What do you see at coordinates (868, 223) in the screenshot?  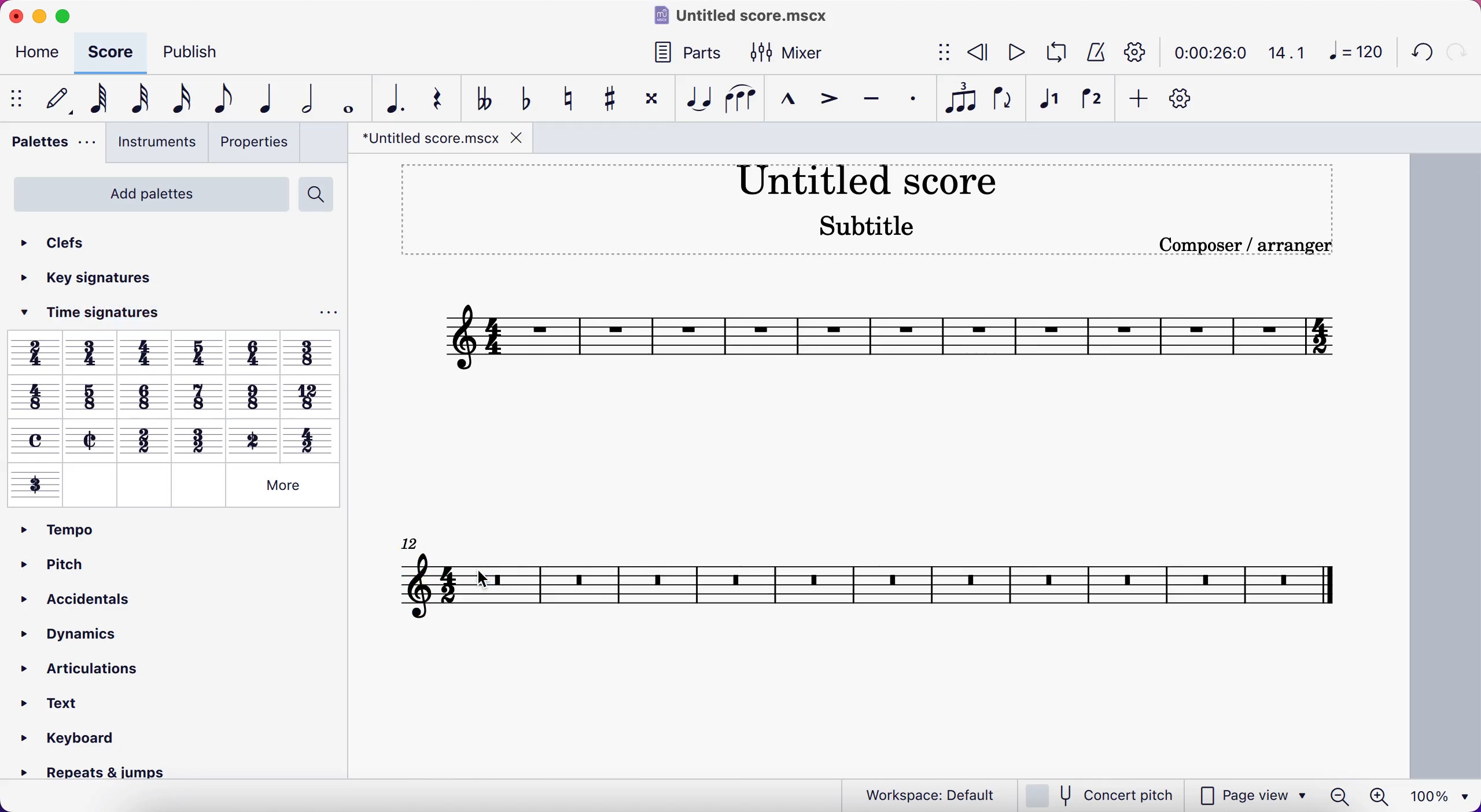 I see `Subtitle` at bounding box center [868, 223].